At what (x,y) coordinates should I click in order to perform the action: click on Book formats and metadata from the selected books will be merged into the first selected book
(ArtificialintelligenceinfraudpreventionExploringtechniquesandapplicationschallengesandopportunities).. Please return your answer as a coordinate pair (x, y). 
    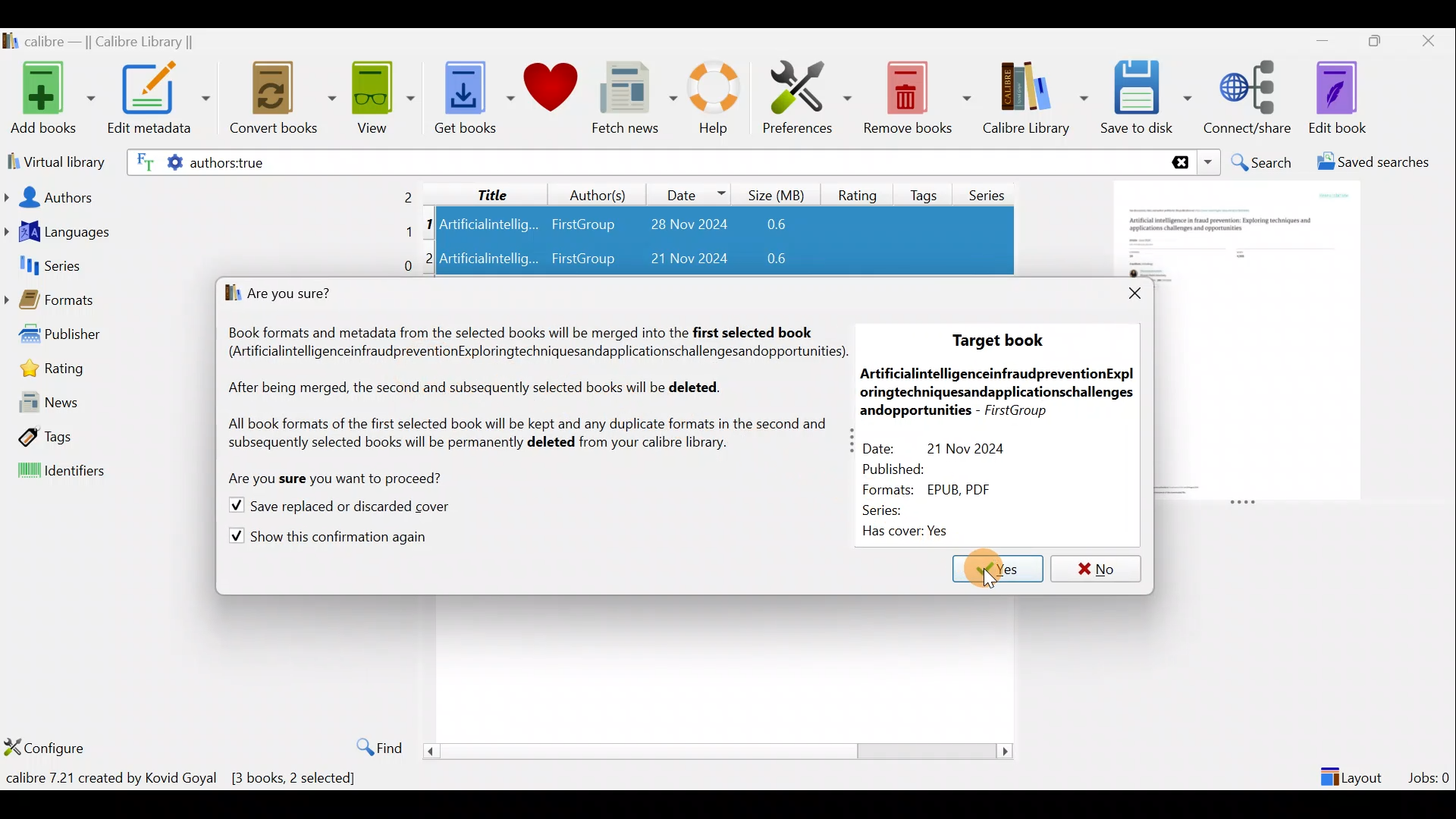
    Looking at the image, I should click on (534, 340).